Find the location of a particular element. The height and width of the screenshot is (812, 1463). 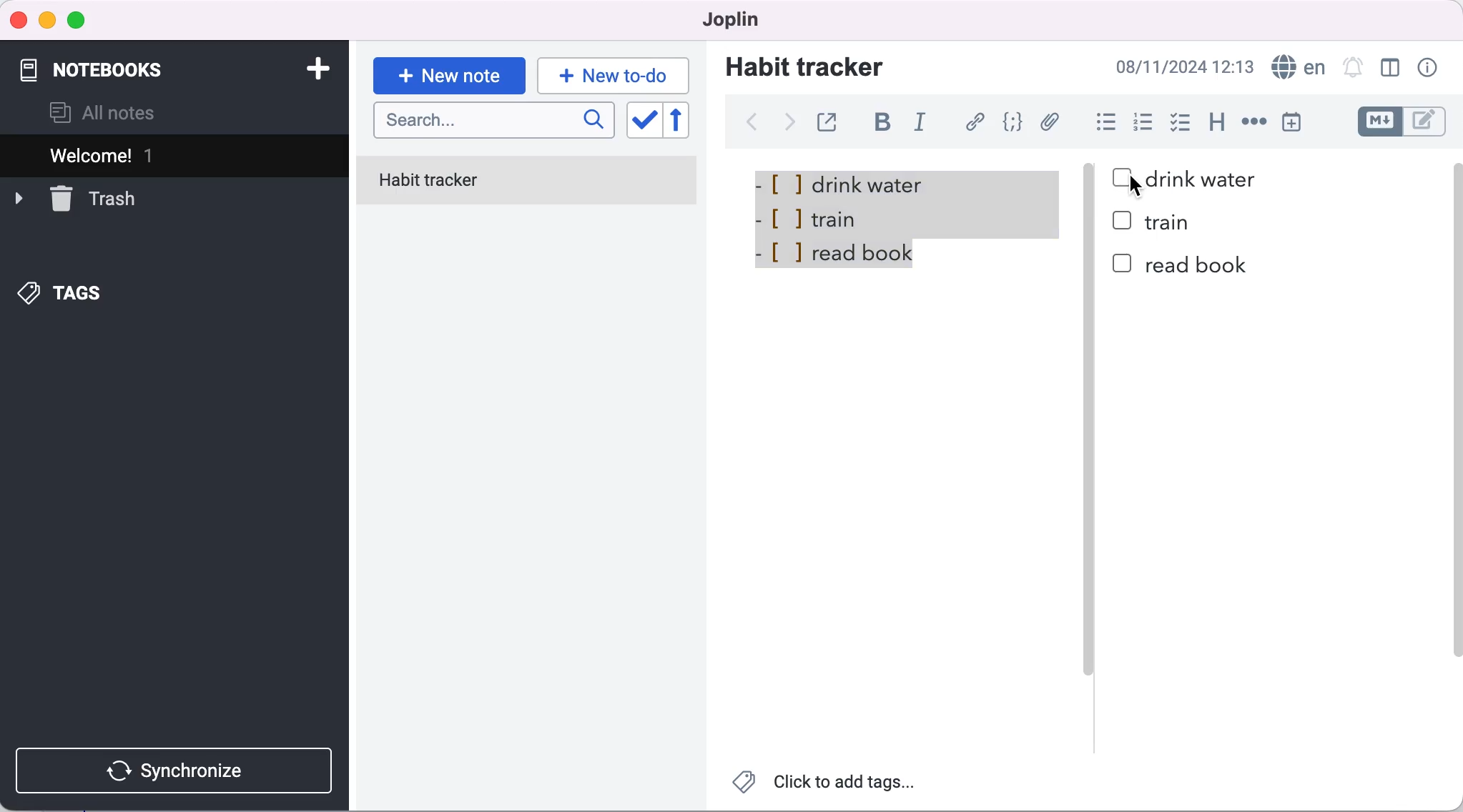

-[ ] drink water is located at coordinates (852, 181).